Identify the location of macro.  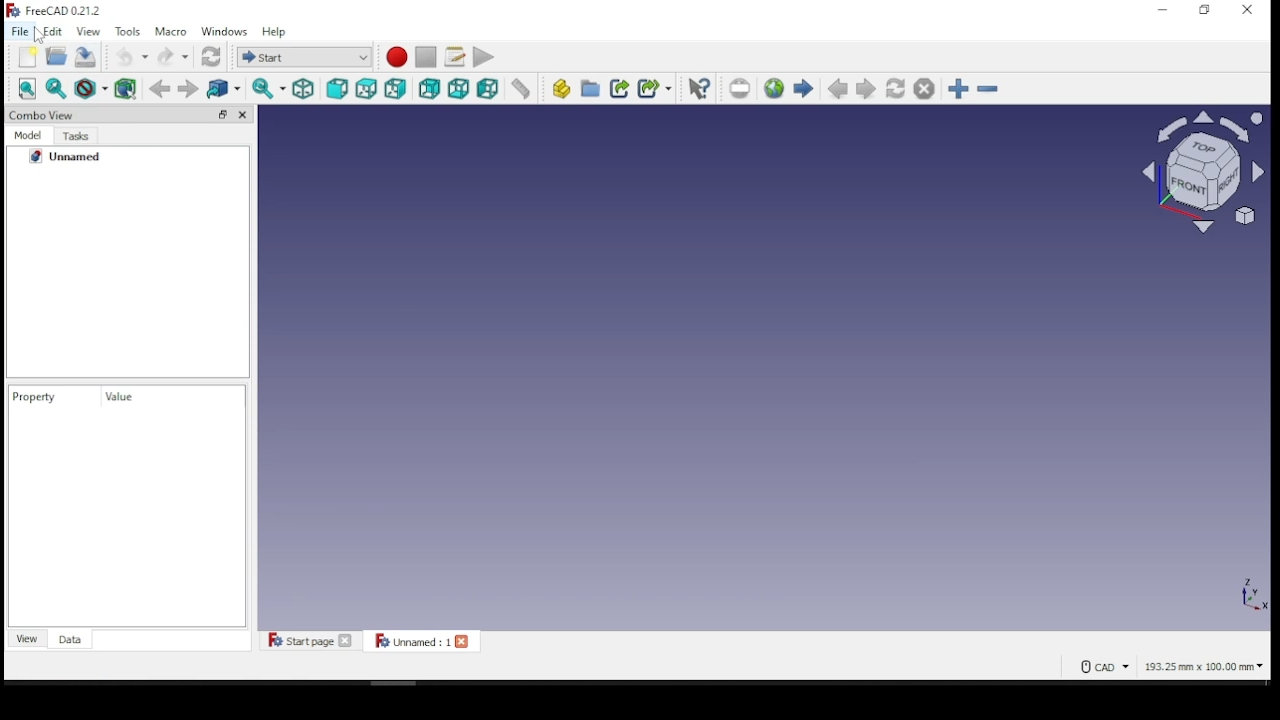
(171, 32).